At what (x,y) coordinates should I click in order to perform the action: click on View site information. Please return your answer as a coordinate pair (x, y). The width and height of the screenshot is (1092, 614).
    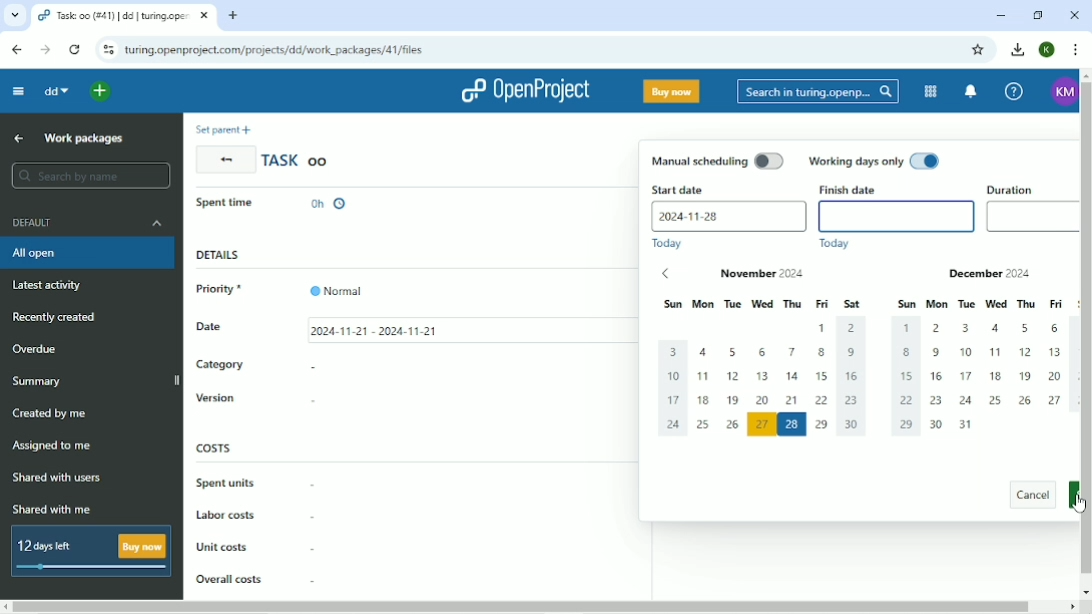
    Looking at the image, I should click on (107, 50).